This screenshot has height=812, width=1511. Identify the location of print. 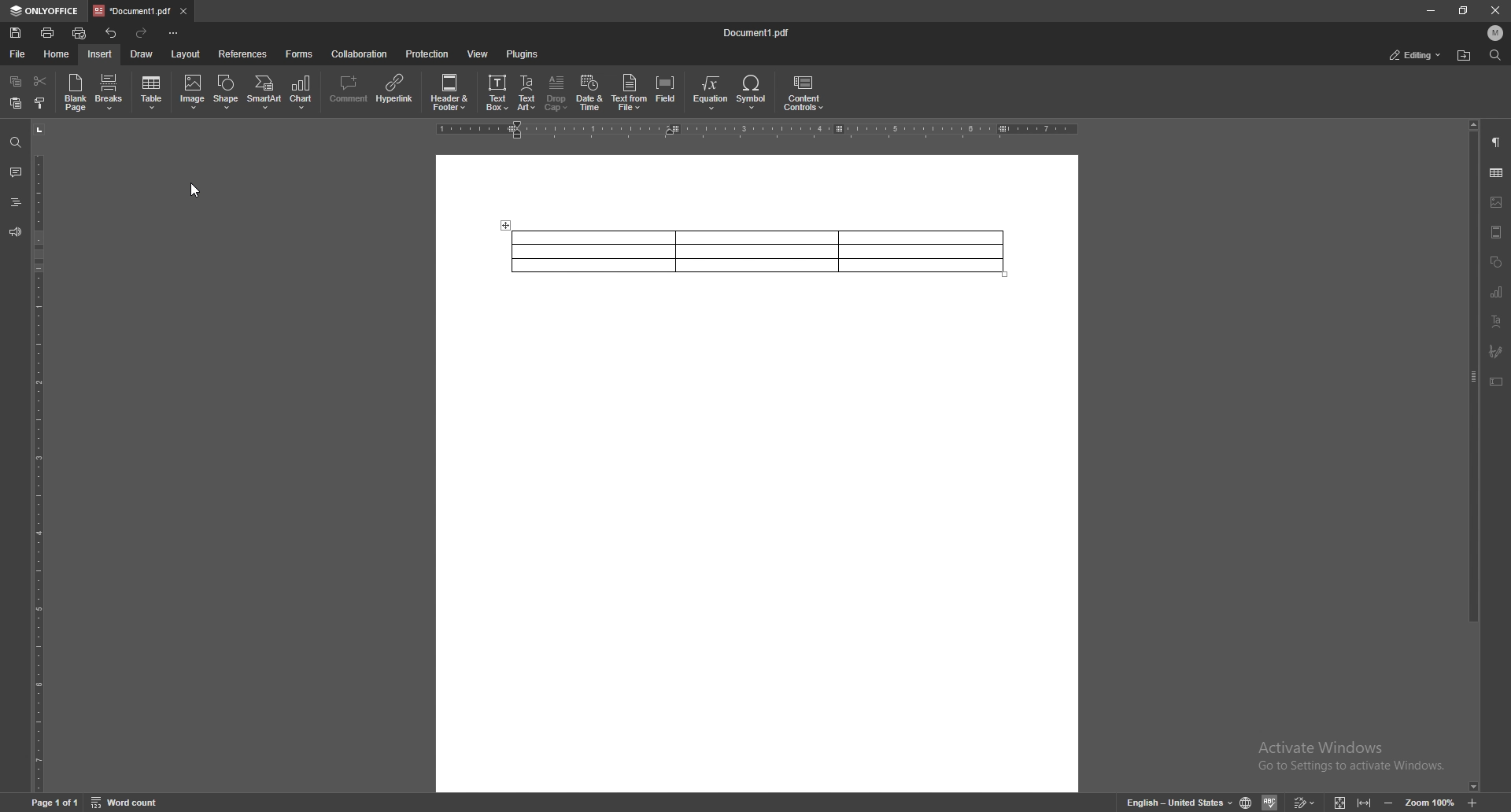
(48, 32).